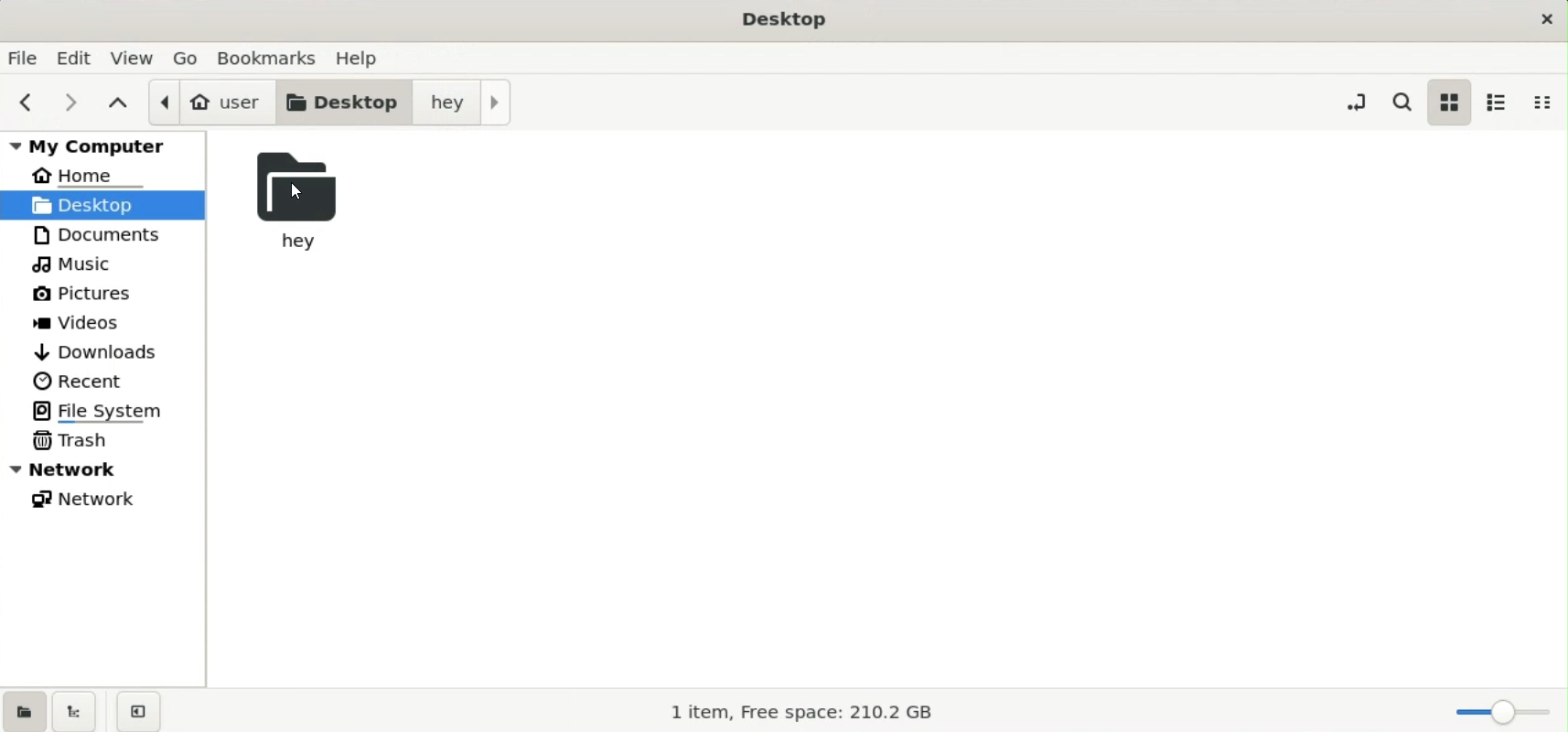 The width and height of the screenshot is (1568, 732). I want to click on home, so click(91, 175).